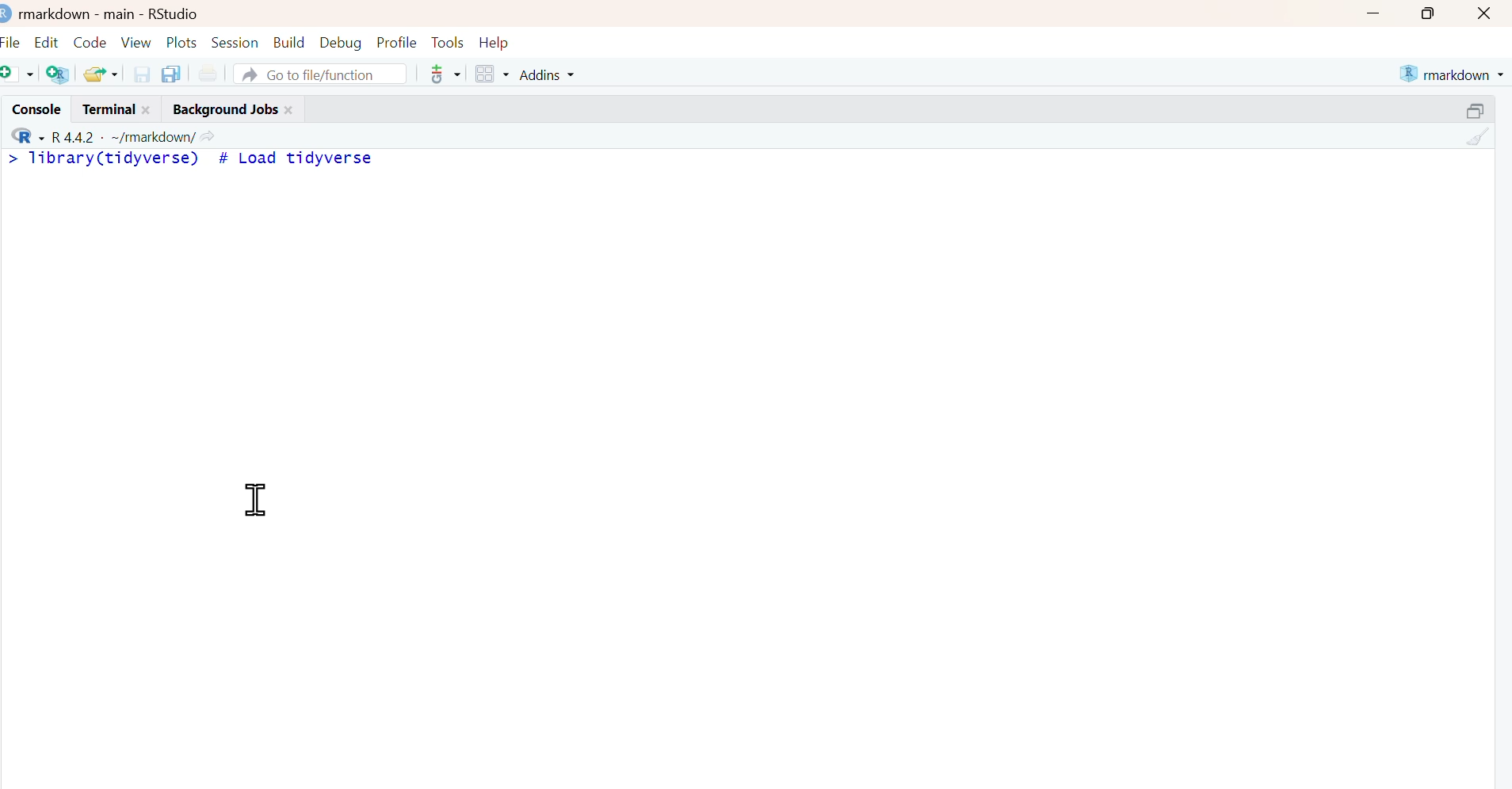 The image size is (1512, 789). Describe the element at coordinates (90, 38) in the screenshot. I see `Code` at that location.